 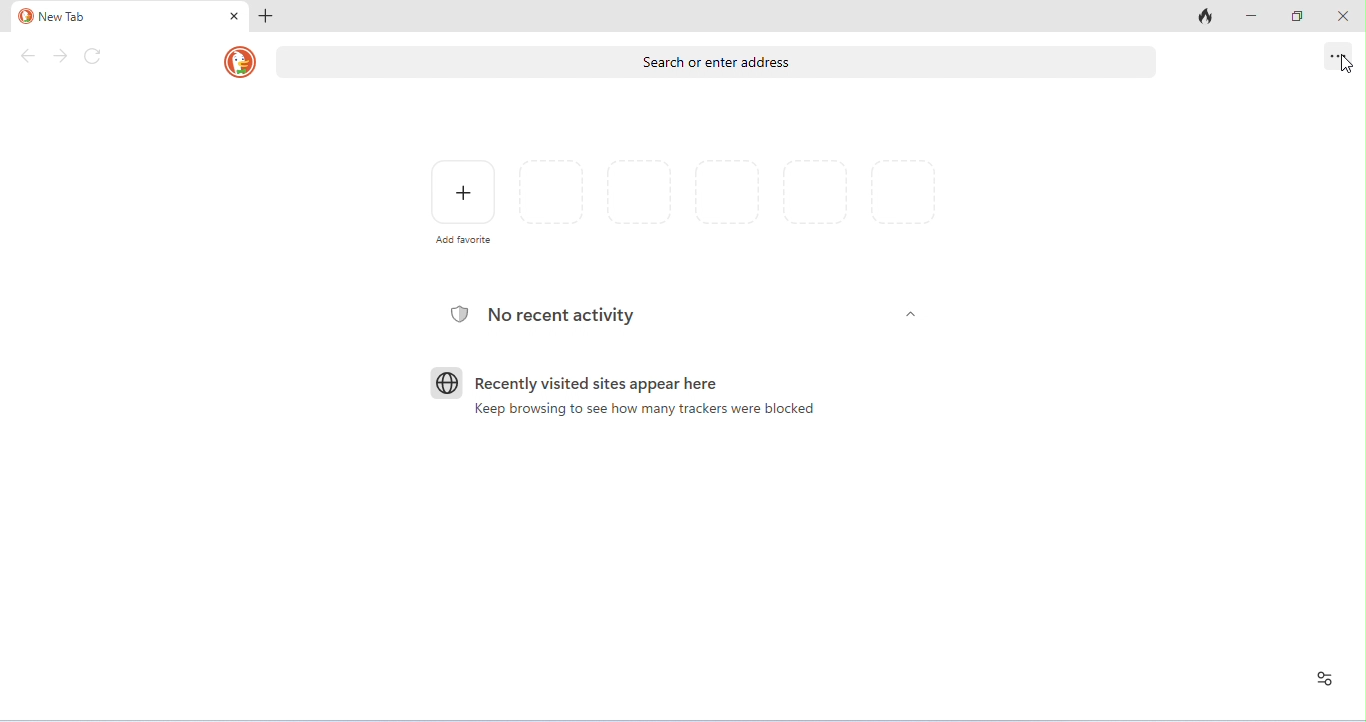 I want to click on close, so click(x=1340, y=14).